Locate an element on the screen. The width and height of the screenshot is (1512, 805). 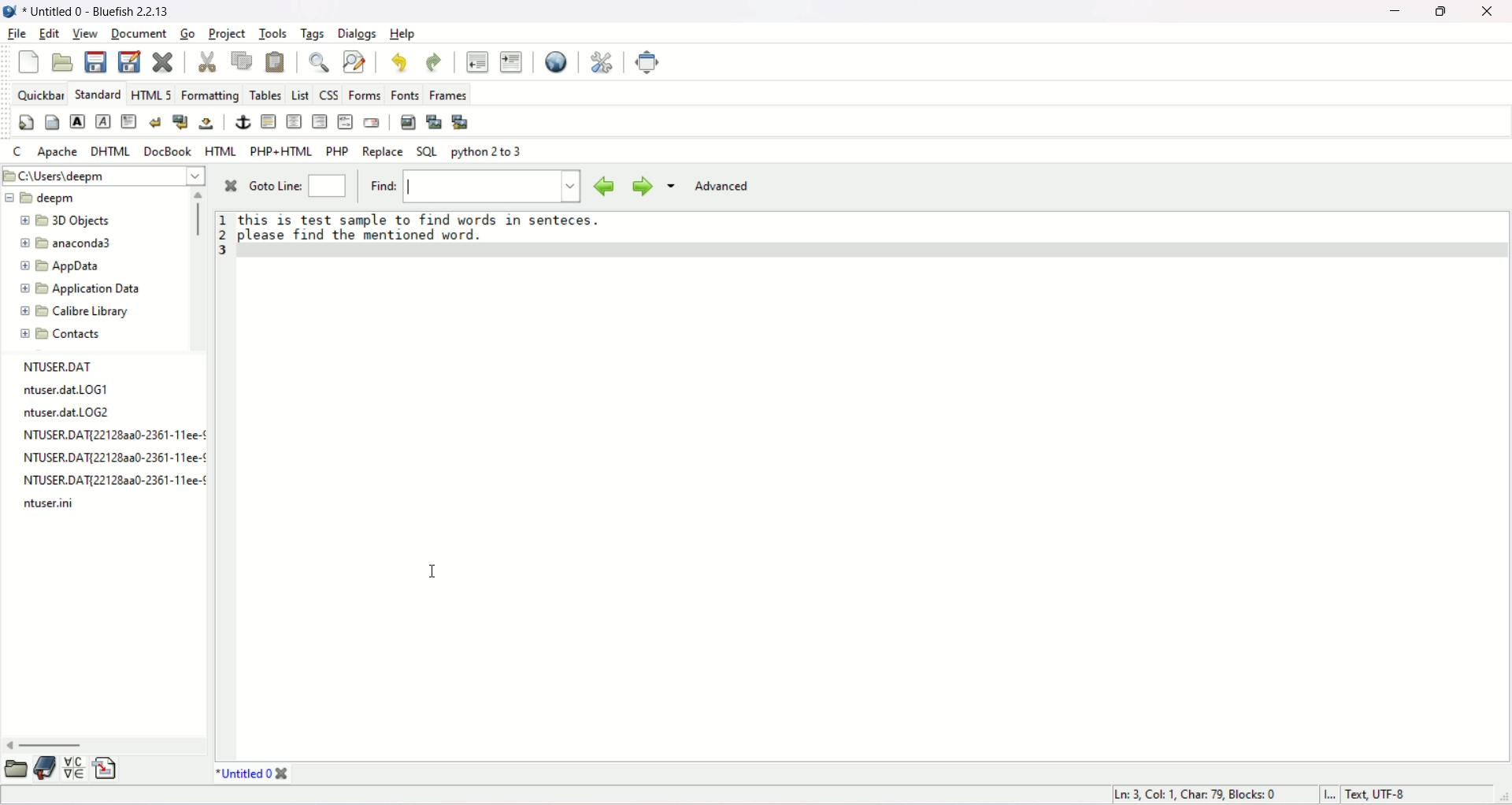
formatting is located at coordinates (211, 95).